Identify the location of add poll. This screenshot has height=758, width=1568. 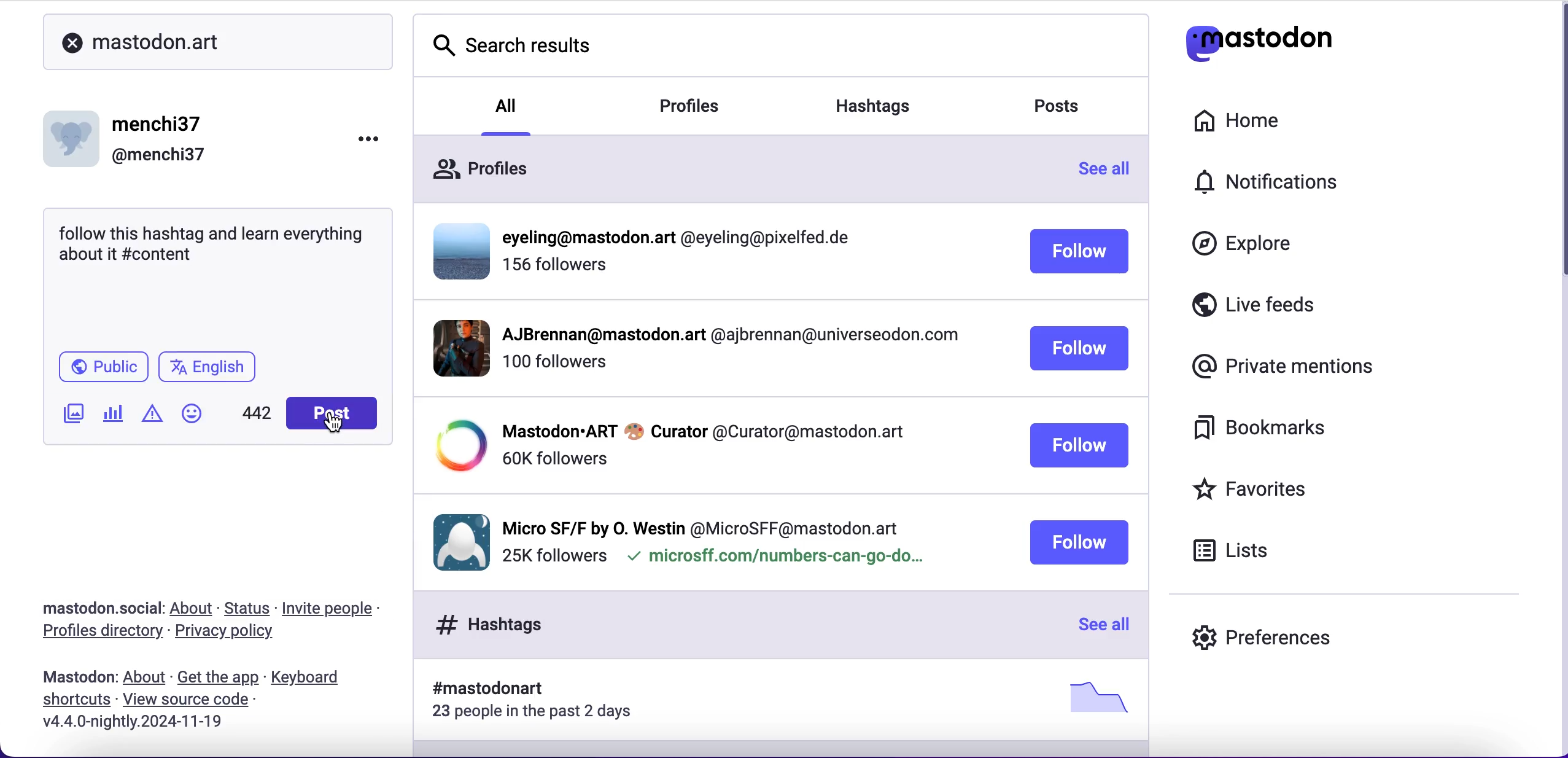
(114, 415).